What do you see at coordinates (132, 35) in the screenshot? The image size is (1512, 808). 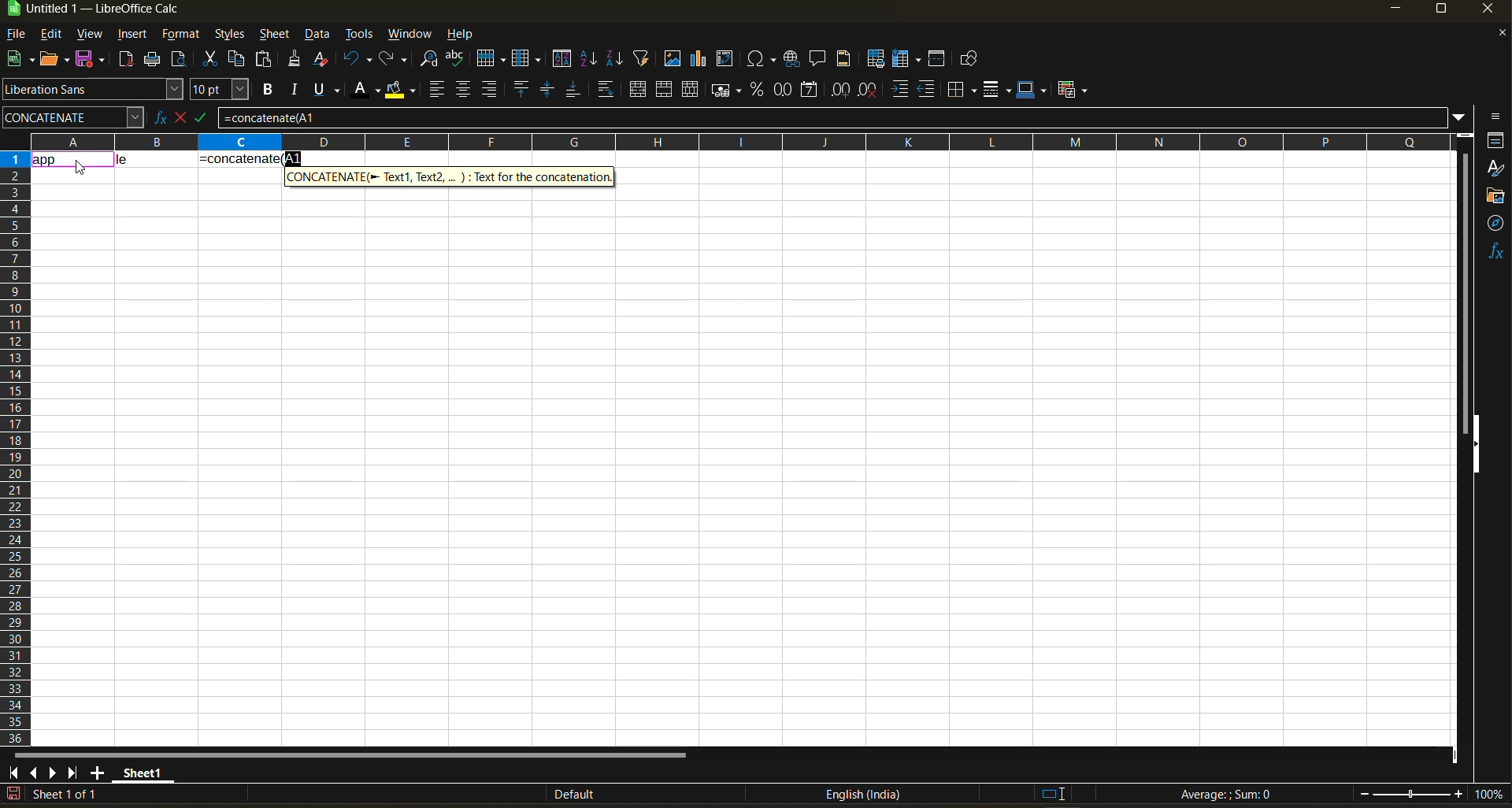 I see `insert` at bounding box center [132, 35].